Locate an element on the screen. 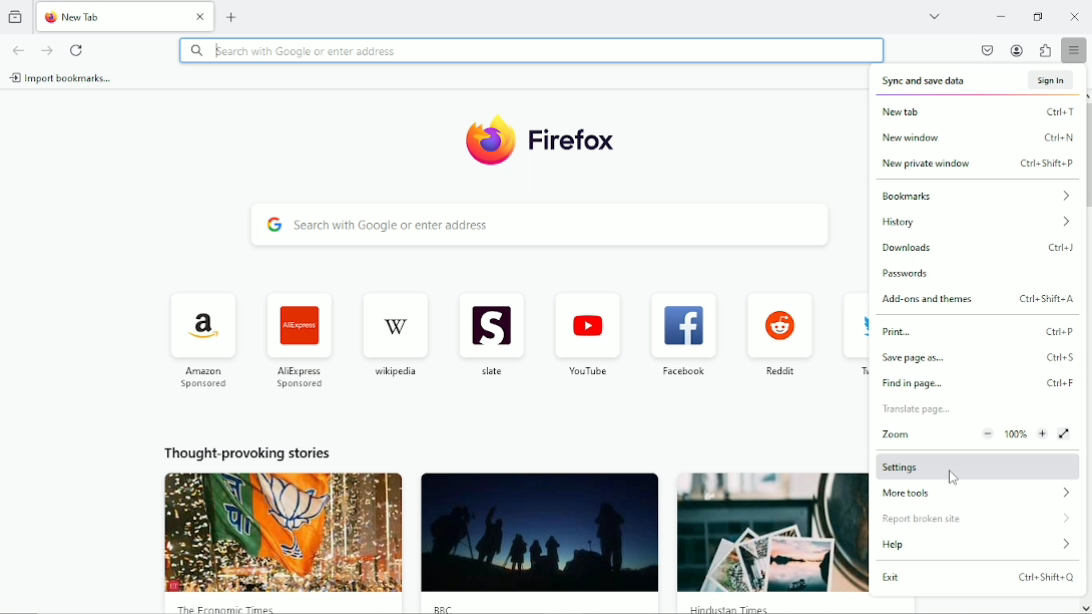  Add-ons and themes  Ctrl+Shift+A is located at coordinates (982, 298).